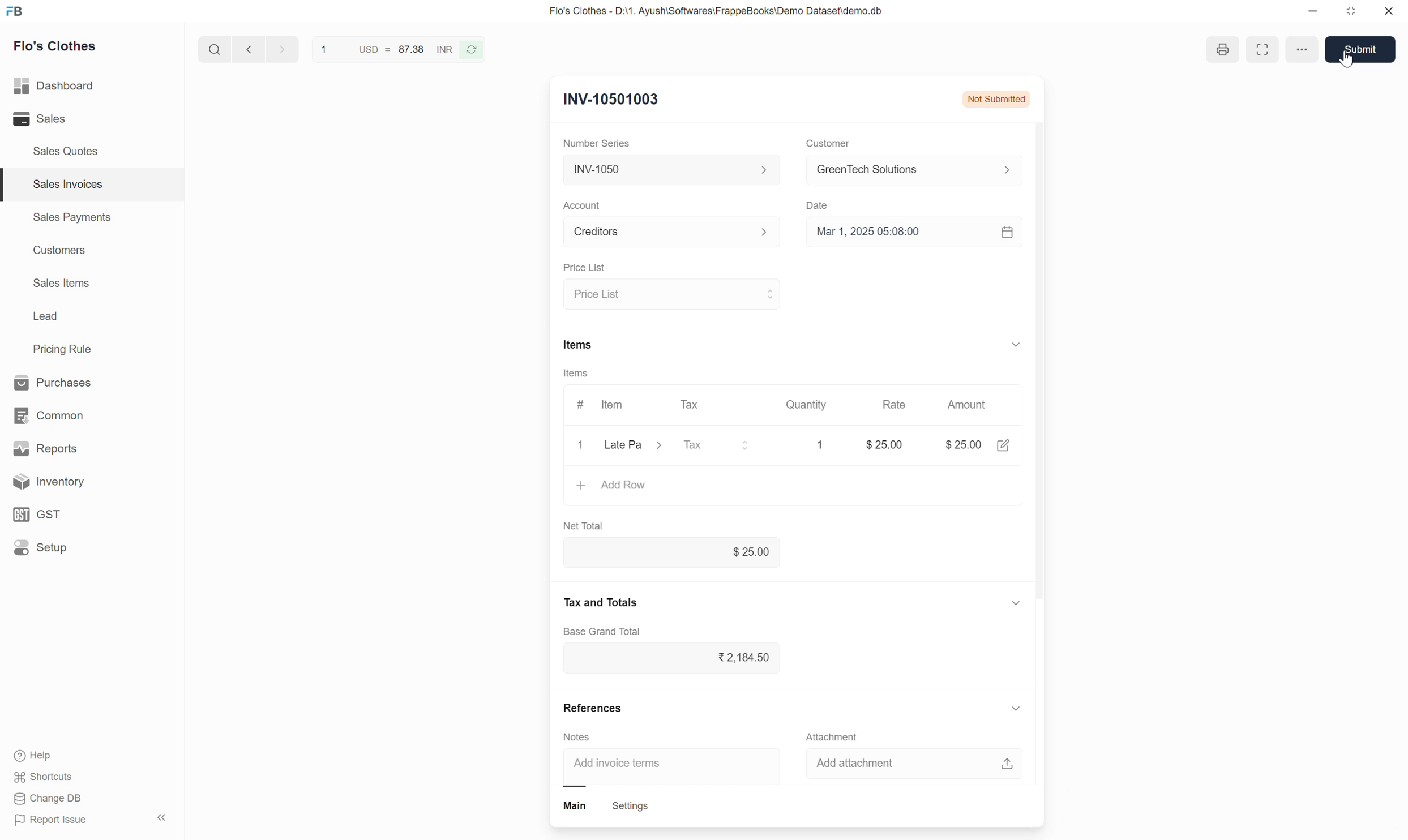 This screenshot has width=1408, height=840. What do you see at coordinates (248, 52) in the screenshot?
I see `go back ` at bounding box center [248, 52].